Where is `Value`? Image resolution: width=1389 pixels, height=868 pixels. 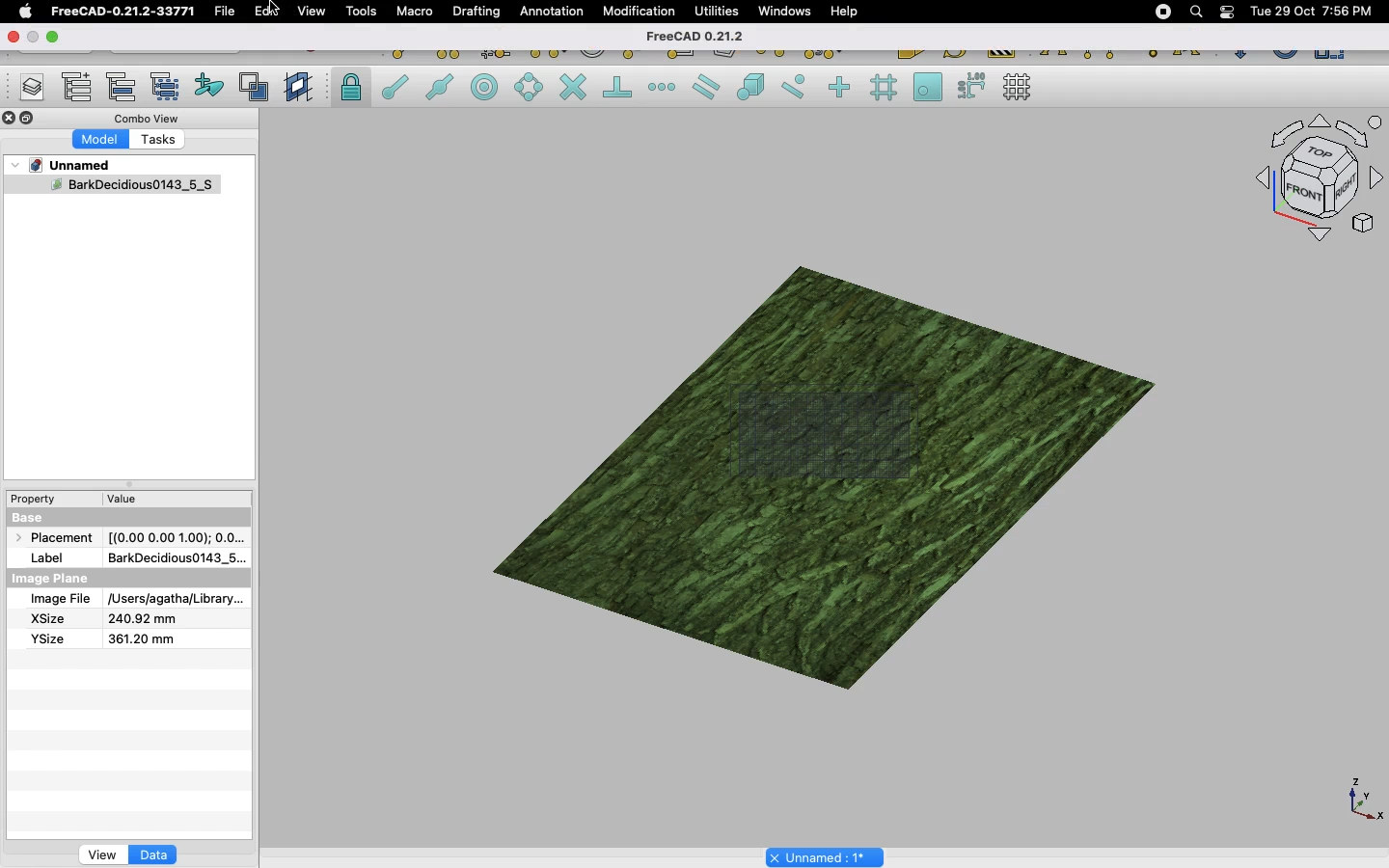
Value is located at coordinates (123, 502).